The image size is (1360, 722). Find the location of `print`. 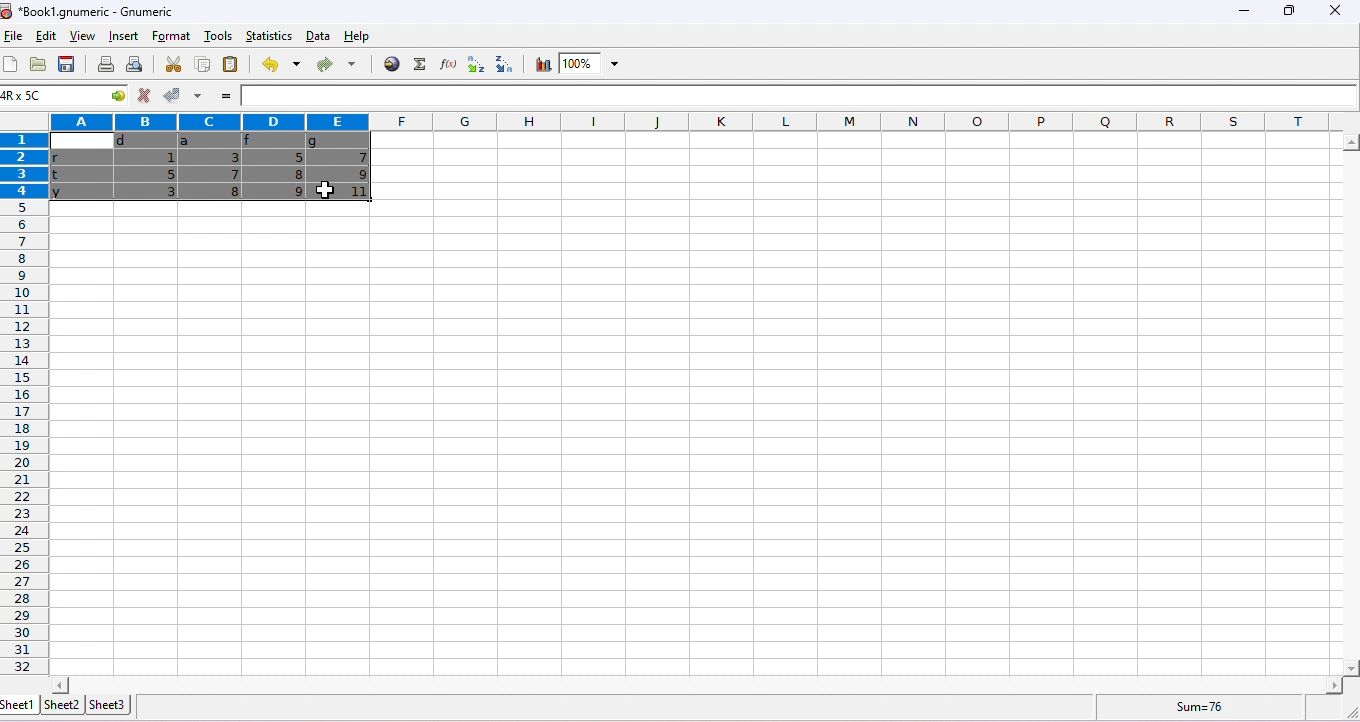

print is located at coordinates (106, 64).